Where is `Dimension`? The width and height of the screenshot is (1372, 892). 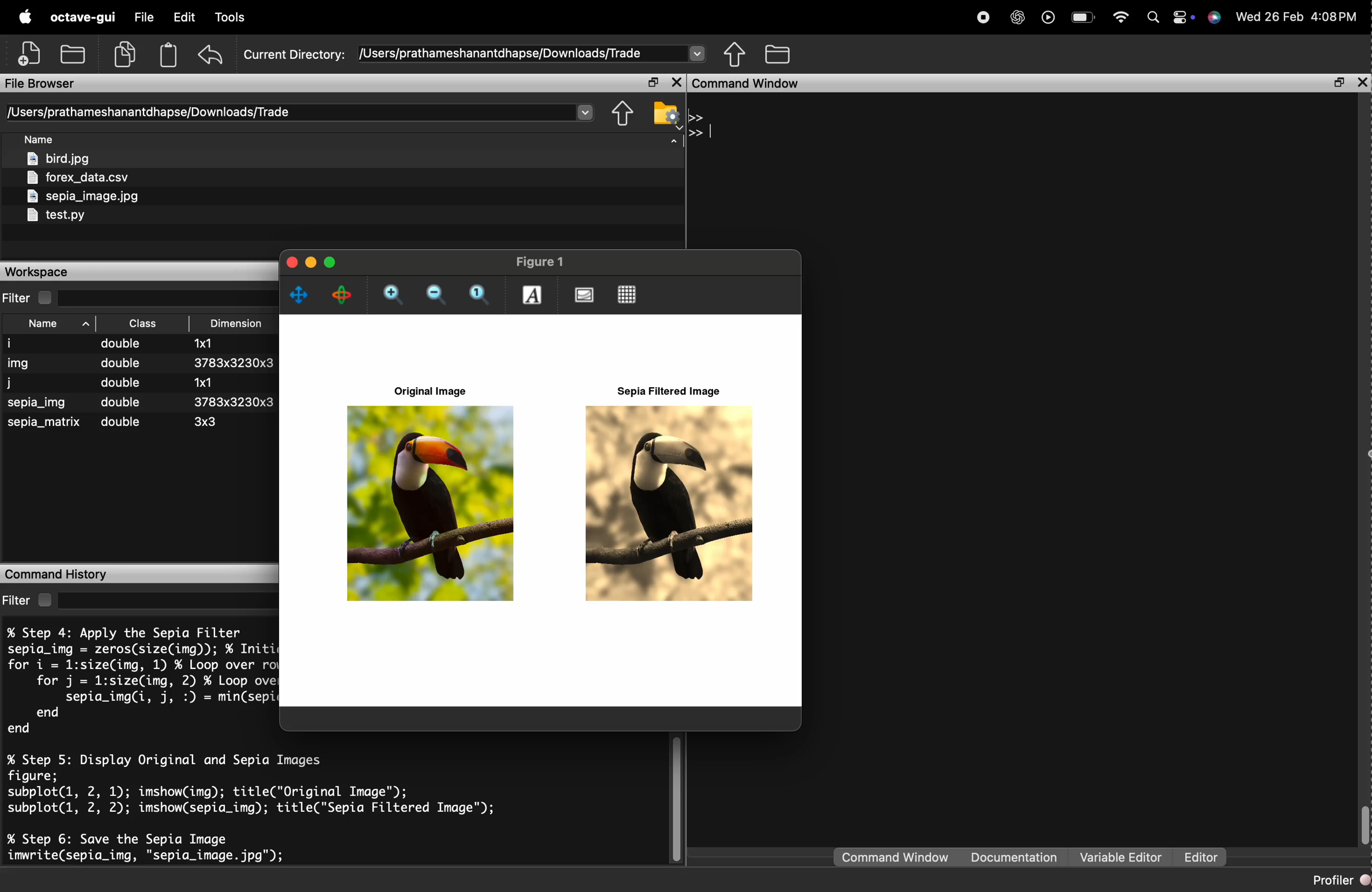
Dimension is located at coordinates (239, 322).